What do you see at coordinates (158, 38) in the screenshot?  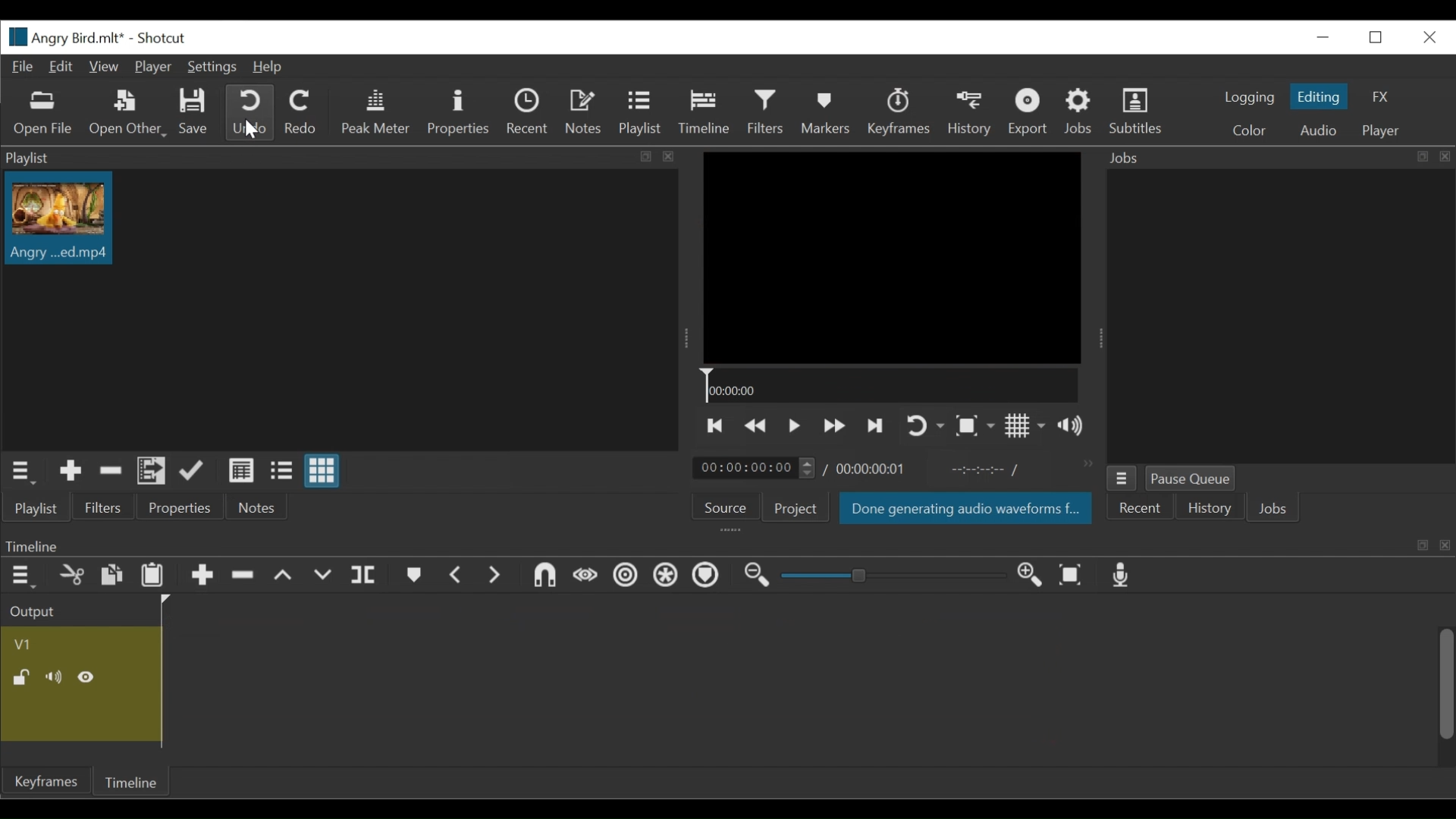 I see `Shotcut` at bounding box center [158, 38].